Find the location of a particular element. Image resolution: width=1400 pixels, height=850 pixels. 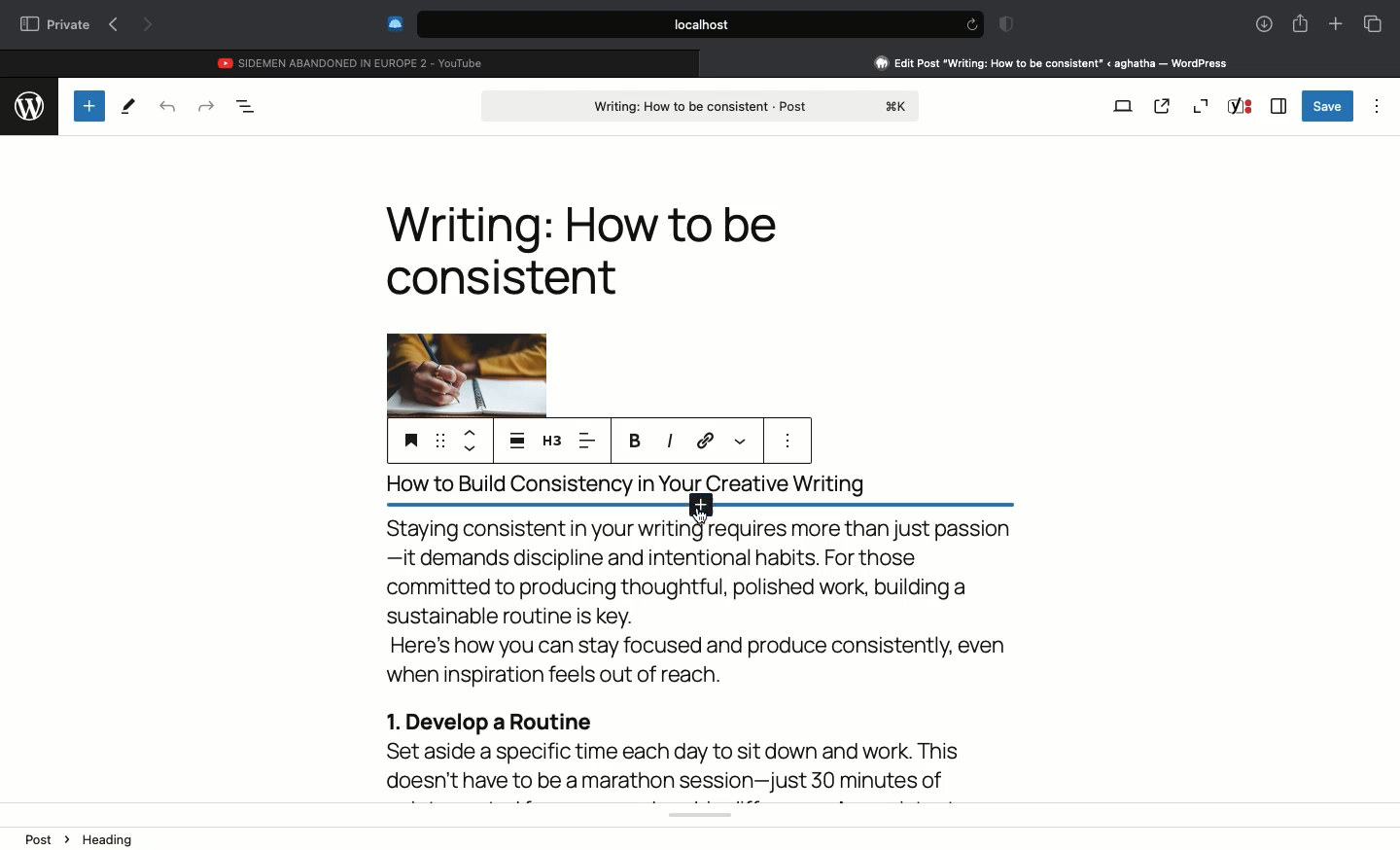

Left aligned is located at coordinates (586, 441).